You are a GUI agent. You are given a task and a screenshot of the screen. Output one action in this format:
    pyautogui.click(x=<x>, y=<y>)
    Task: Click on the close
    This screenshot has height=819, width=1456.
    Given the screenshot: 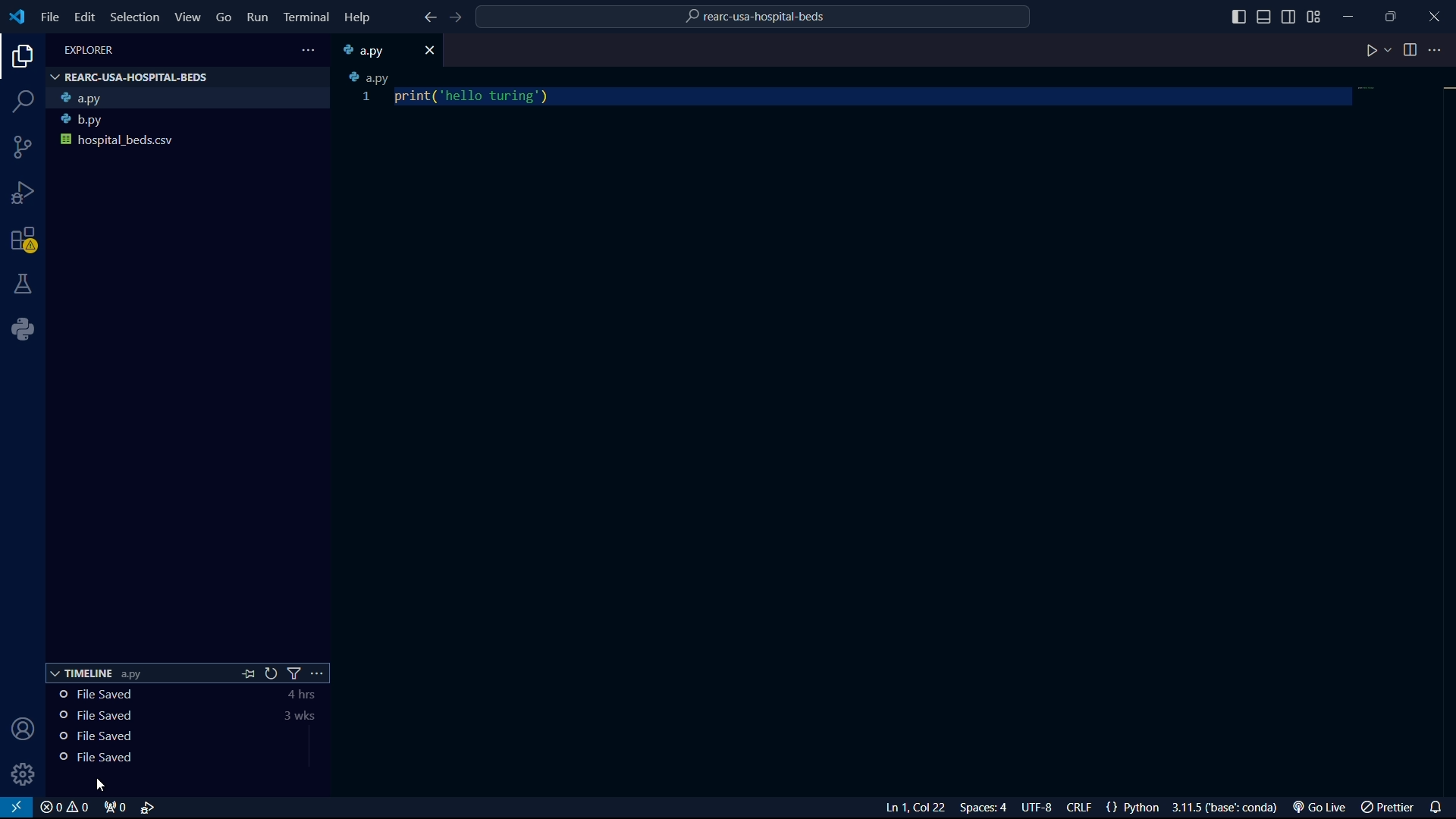 What is the action you would take?
    pyautogui.click(x=430, y=52)
    